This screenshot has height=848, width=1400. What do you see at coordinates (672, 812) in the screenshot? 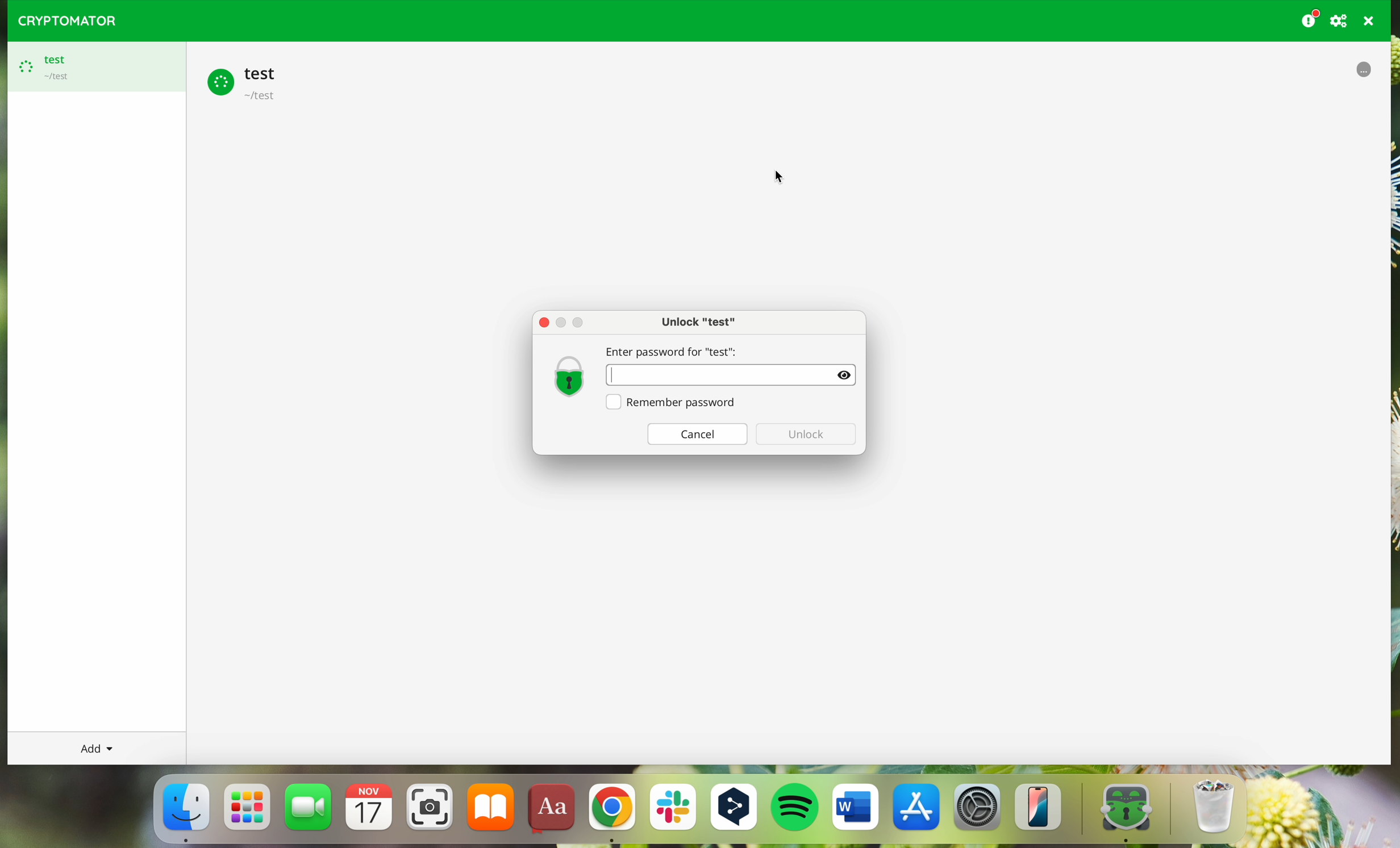
I see `Slack` at bounding box center [672, 812].